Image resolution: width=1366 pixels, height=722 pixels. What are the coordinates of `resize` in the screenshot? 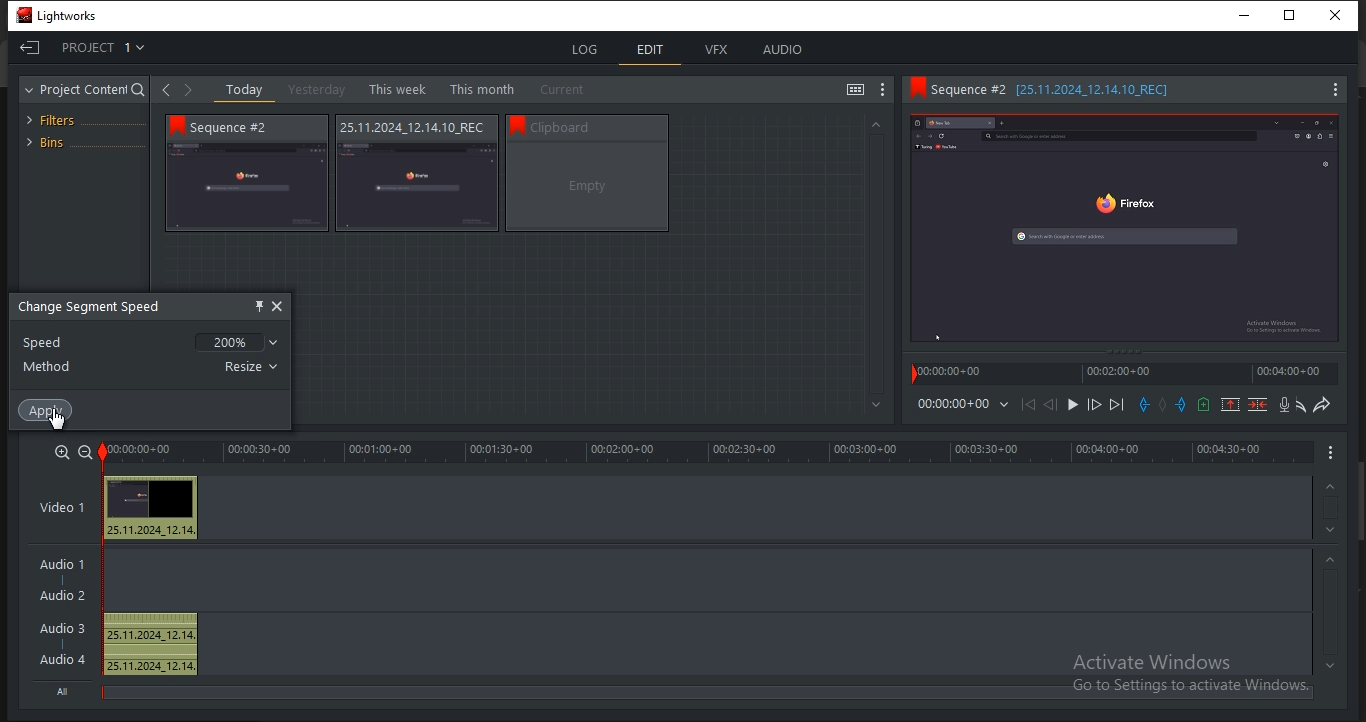 It's located at (248, 366).